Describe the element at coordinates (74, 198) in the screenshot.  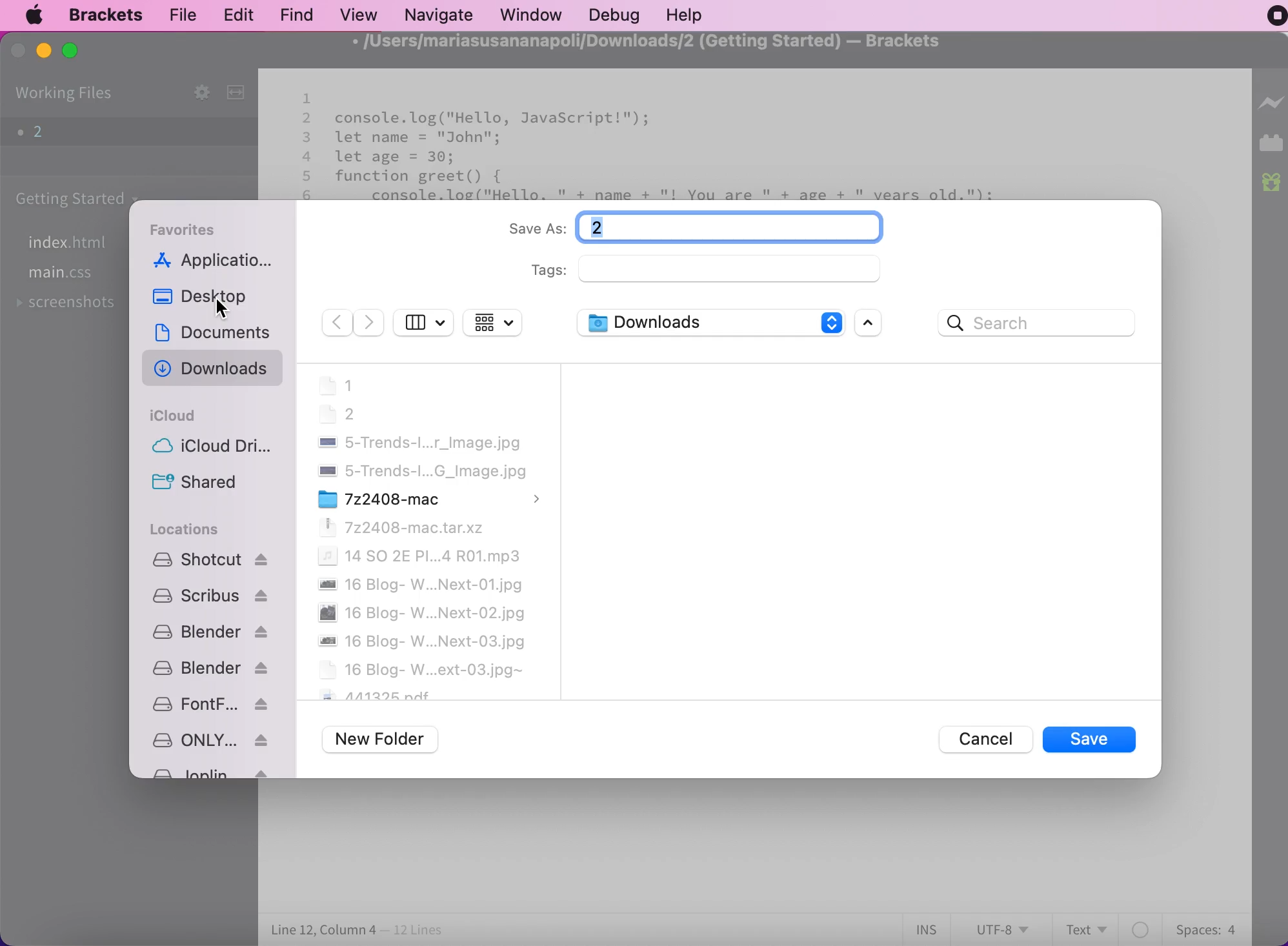
I see `getting started folder` at that location.